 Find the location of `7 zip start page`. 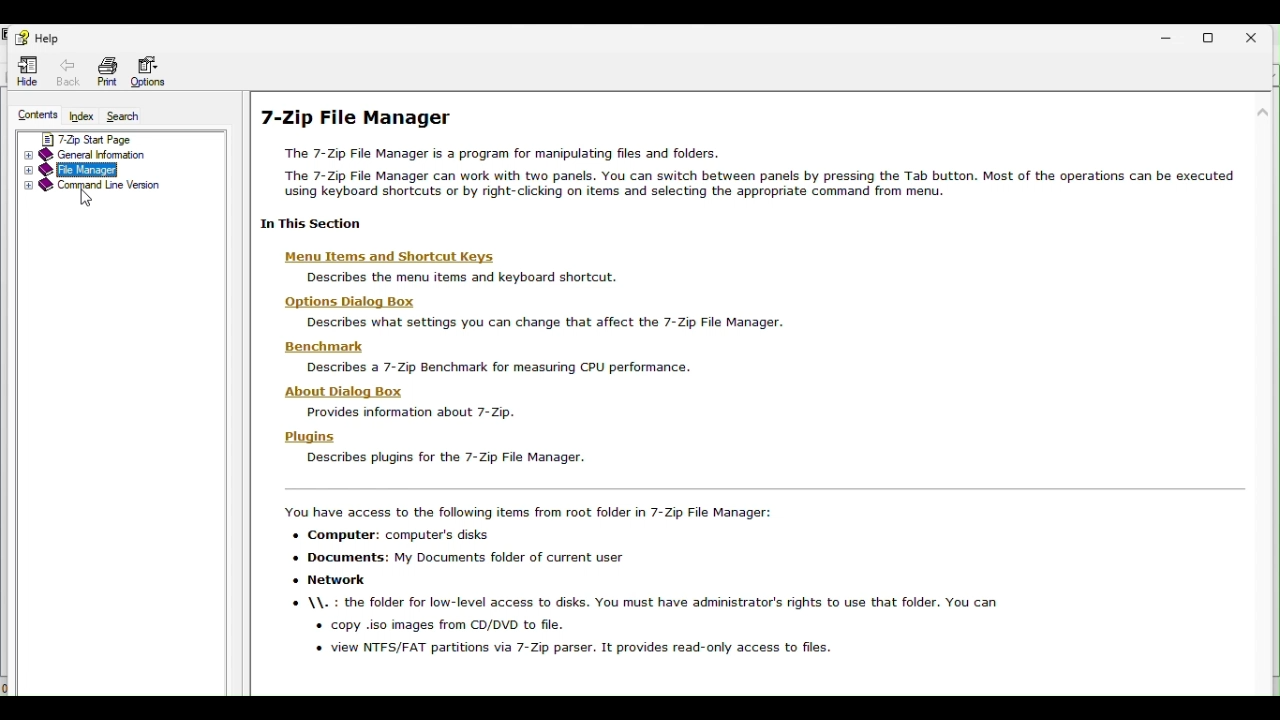

7 zip start page is located at coordinates (85, 137).